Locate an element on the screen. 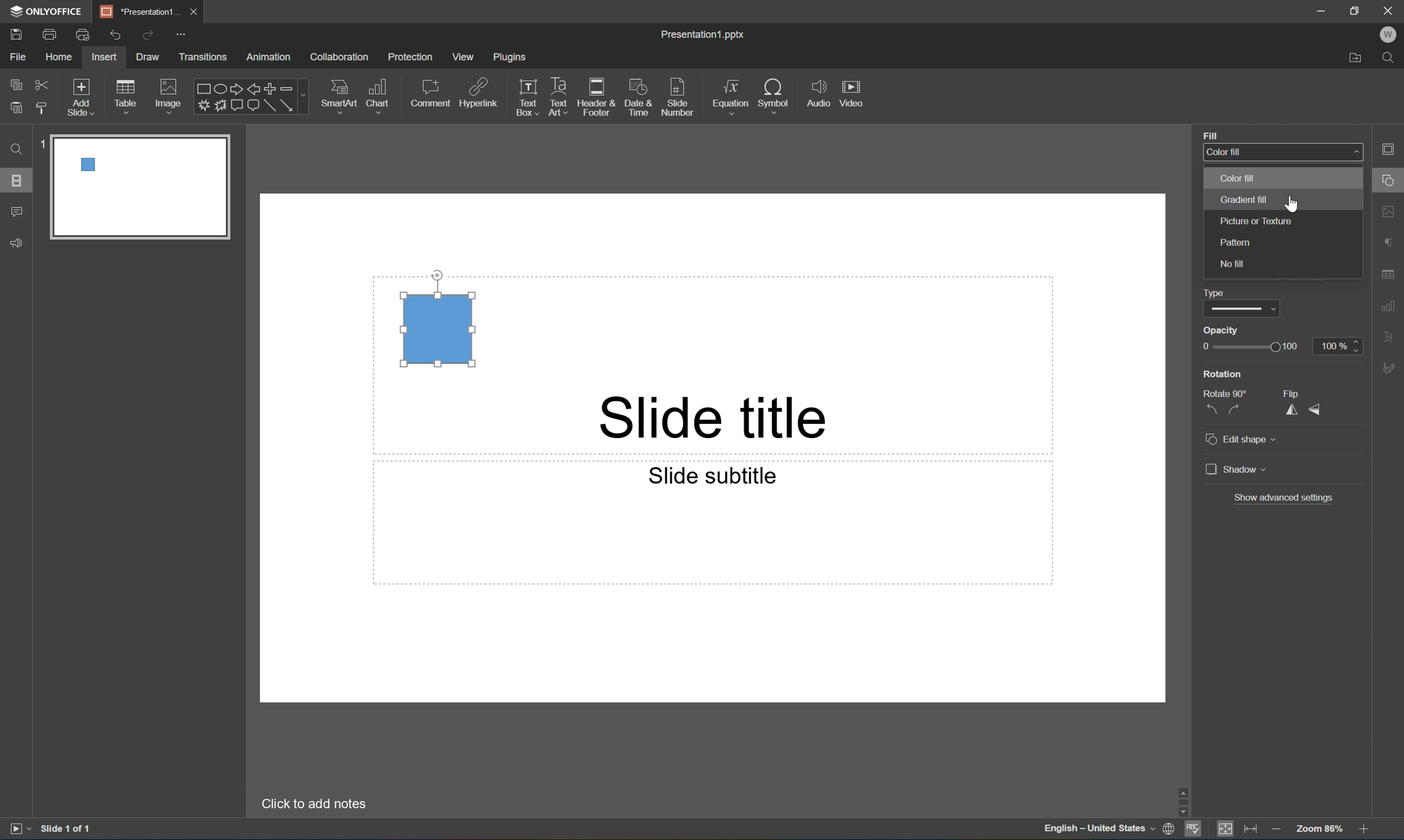 Image resolution: width=1404 pixels, height=840 pixels. Feedback & Support is located at coordinates (18, 243).